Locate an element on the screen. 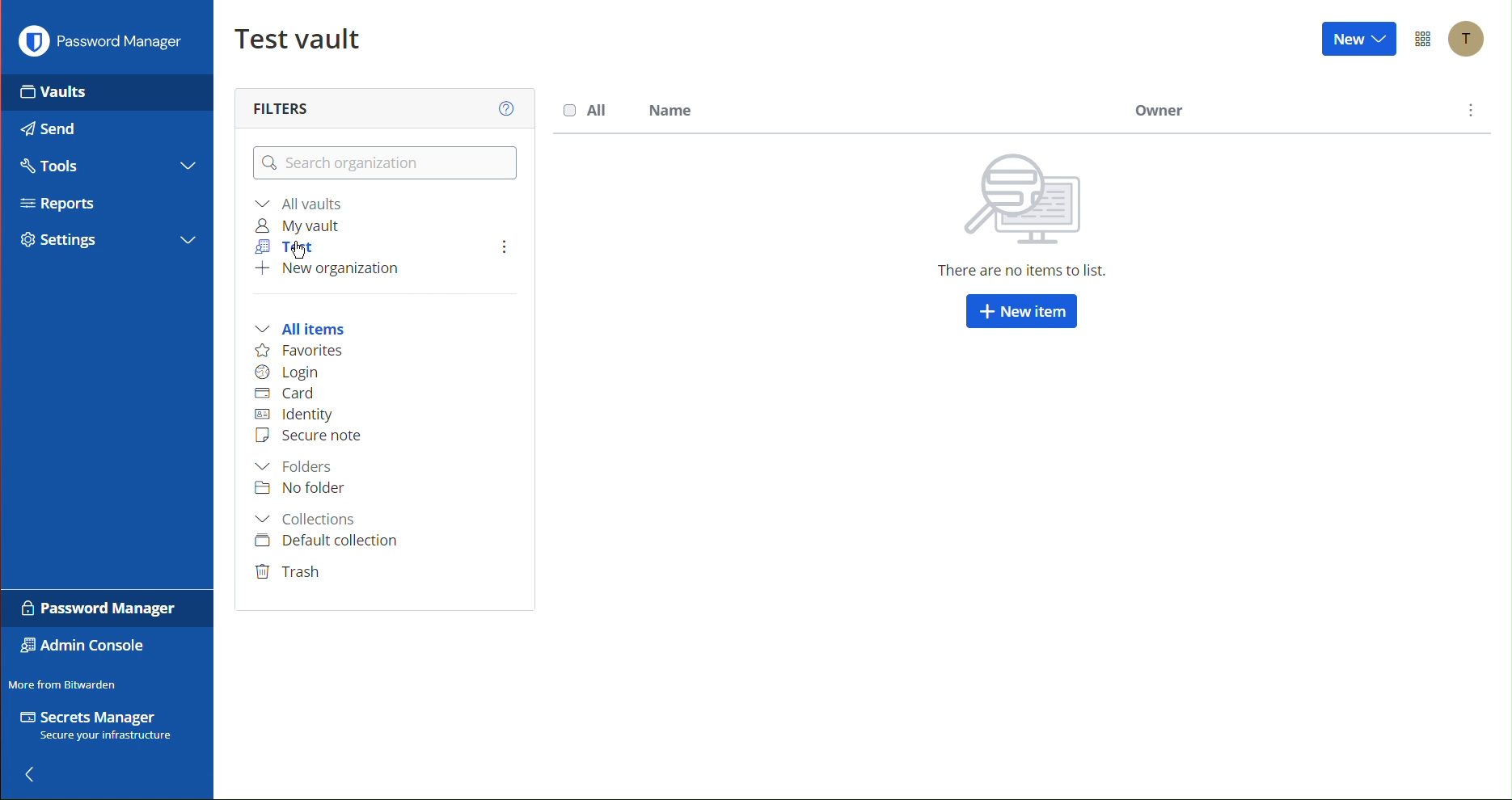 This screenshot has height=800, width=1512. Favorites is located at coordinates (298, 351).